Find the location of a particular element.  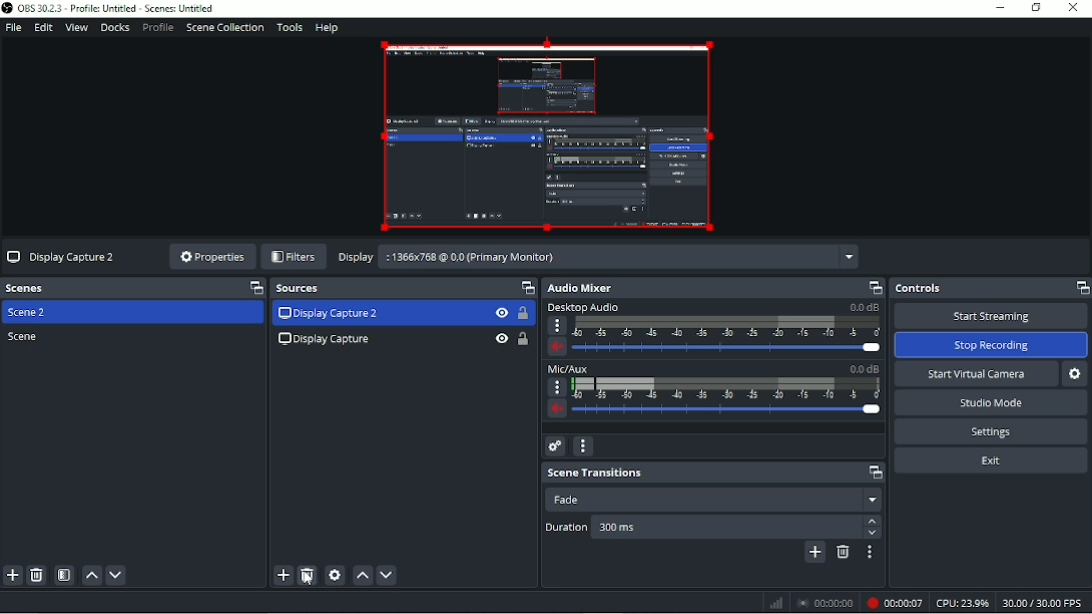

Desktop audio is located at coordinates (714, 330).